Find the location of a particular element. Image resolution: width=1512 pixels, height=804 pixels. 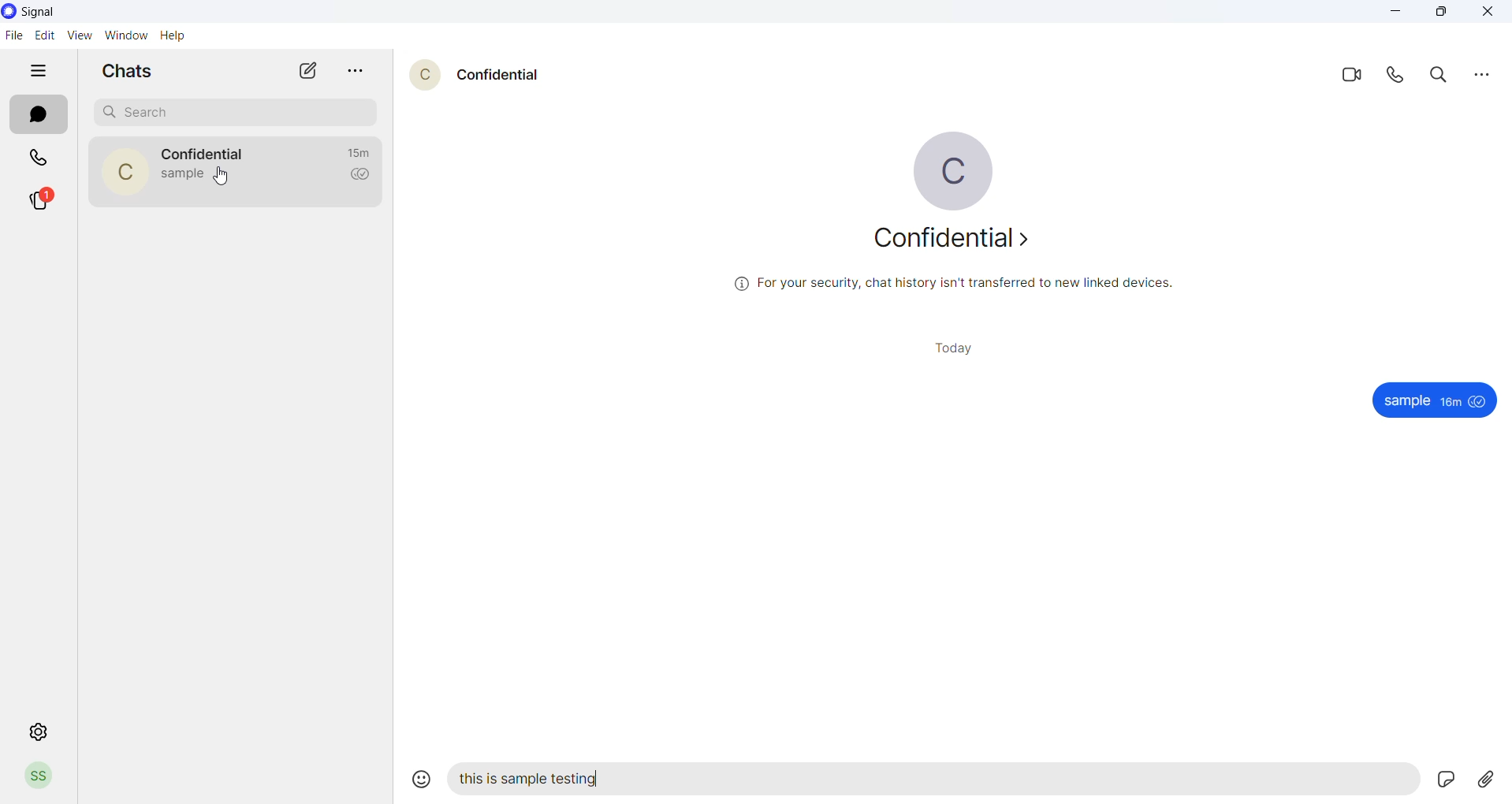

chats is located at coordinates (39, 115).